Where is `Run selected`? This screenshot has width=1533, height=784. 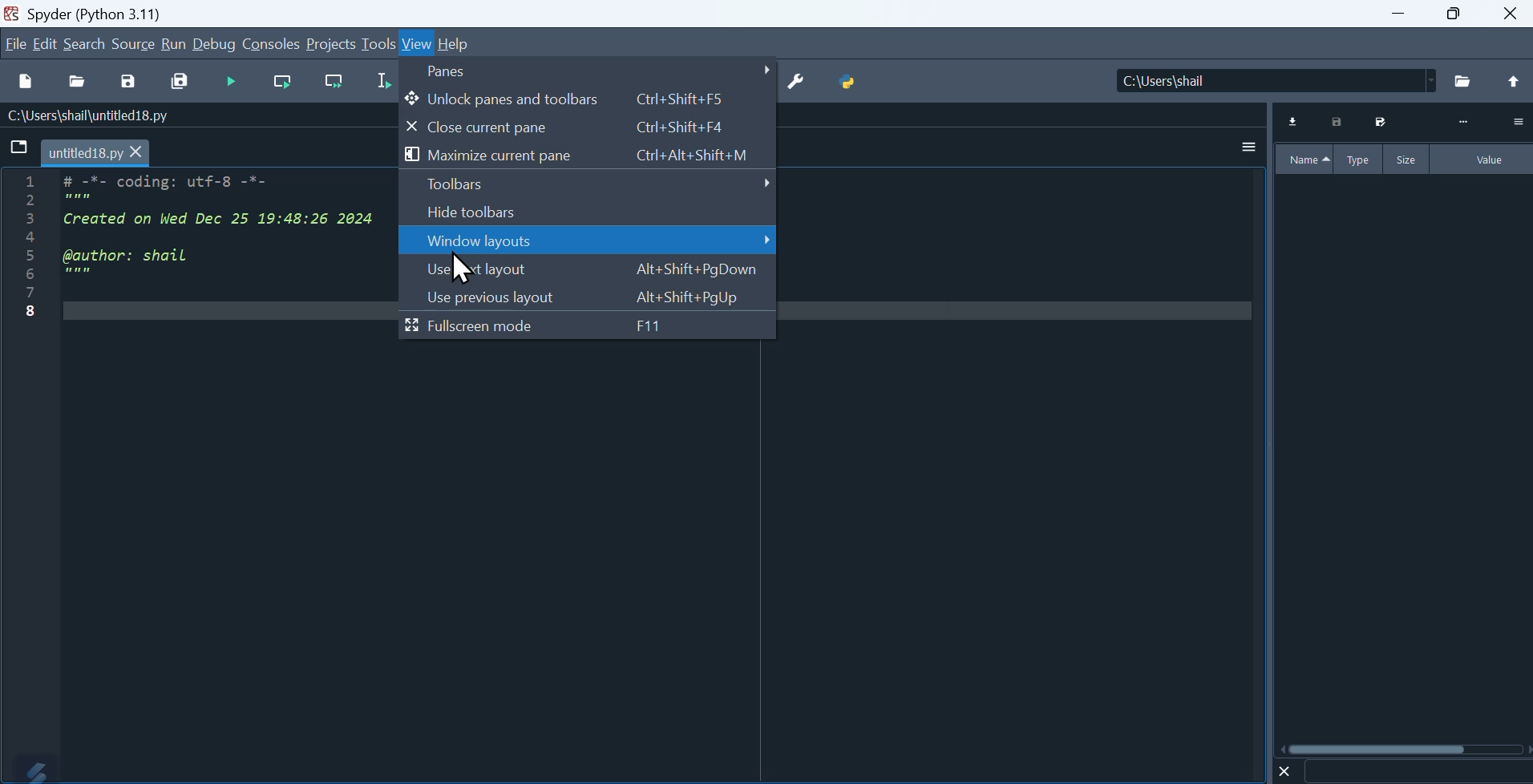 Run selected is located at coordinates (382, 82).